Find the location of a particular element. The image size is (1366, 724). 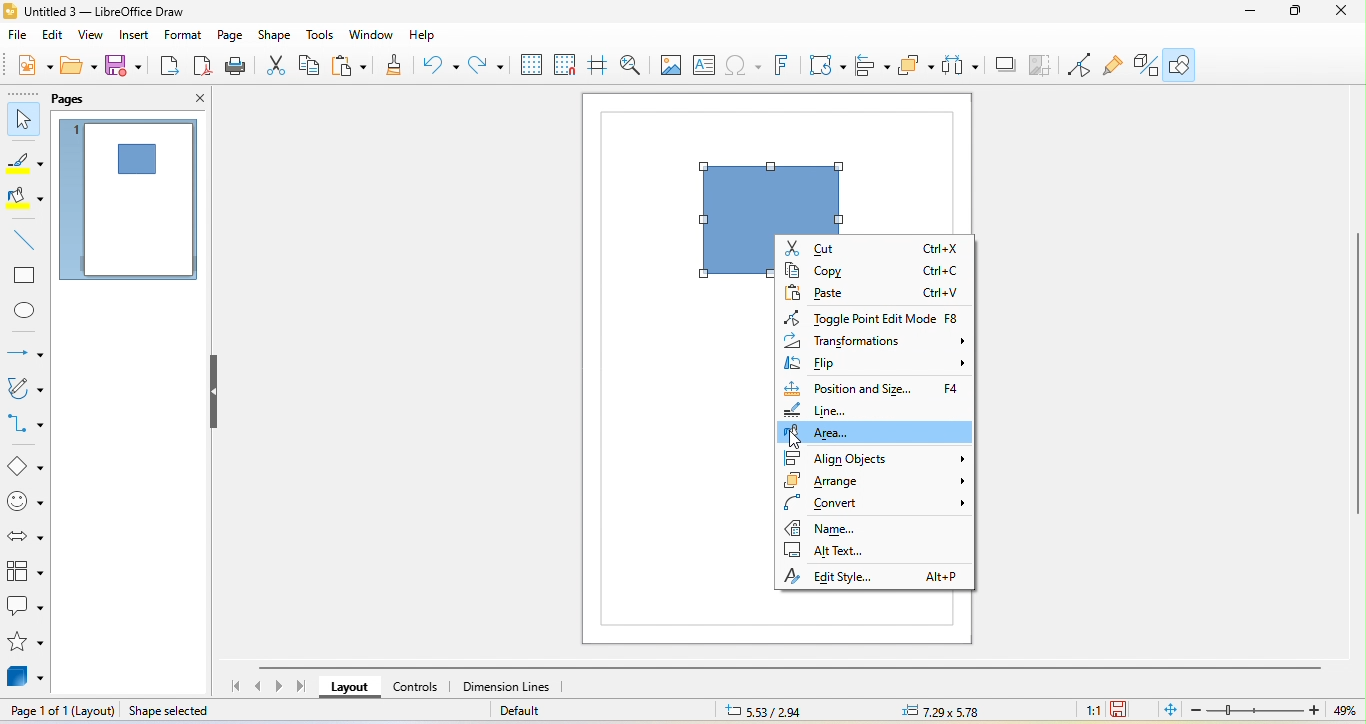

text box is located at coordinates (706, 66).